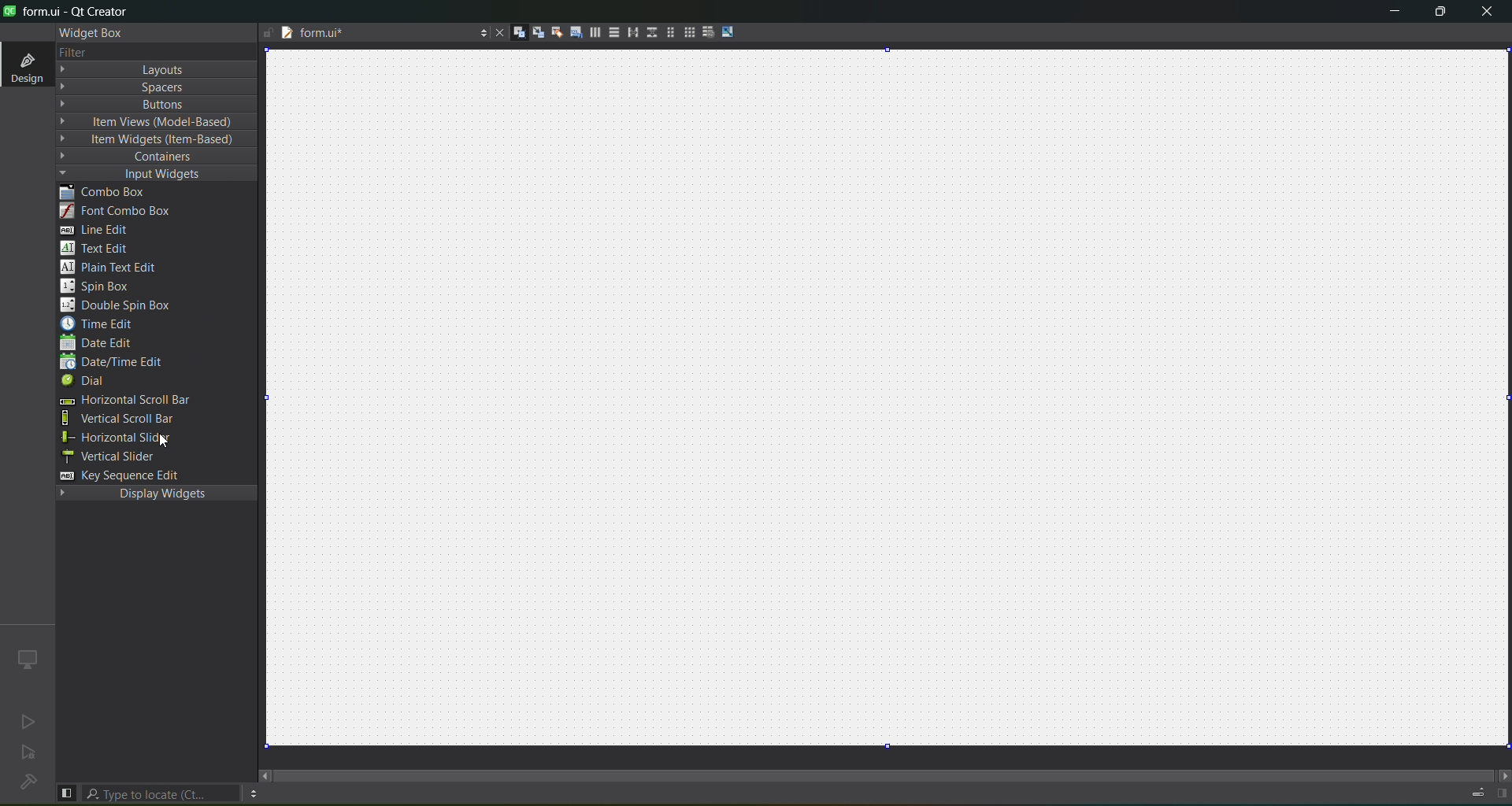 The width and height of the screenshot is (1512, 806). Describe the element at coordinates (114, 190) in the screenshot. I see `combo box` at that location.